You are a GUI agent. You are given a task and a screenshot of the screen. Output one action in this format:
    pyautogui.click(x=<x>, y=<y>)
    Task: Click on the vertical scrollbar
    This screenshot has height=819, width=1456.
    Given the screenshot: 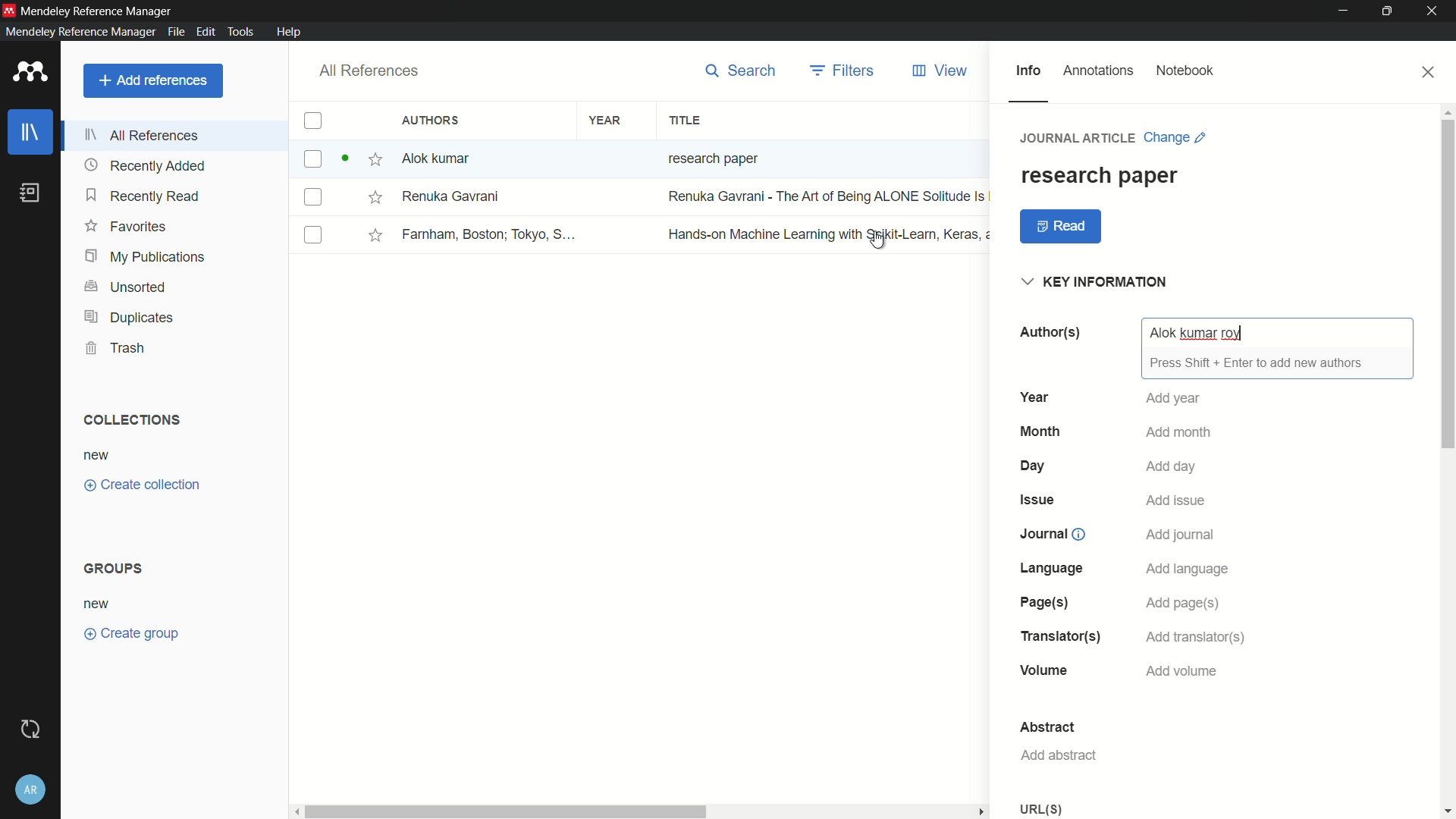 What is the action you would take?
    pyautogui.click(x=1447, y=460)
    